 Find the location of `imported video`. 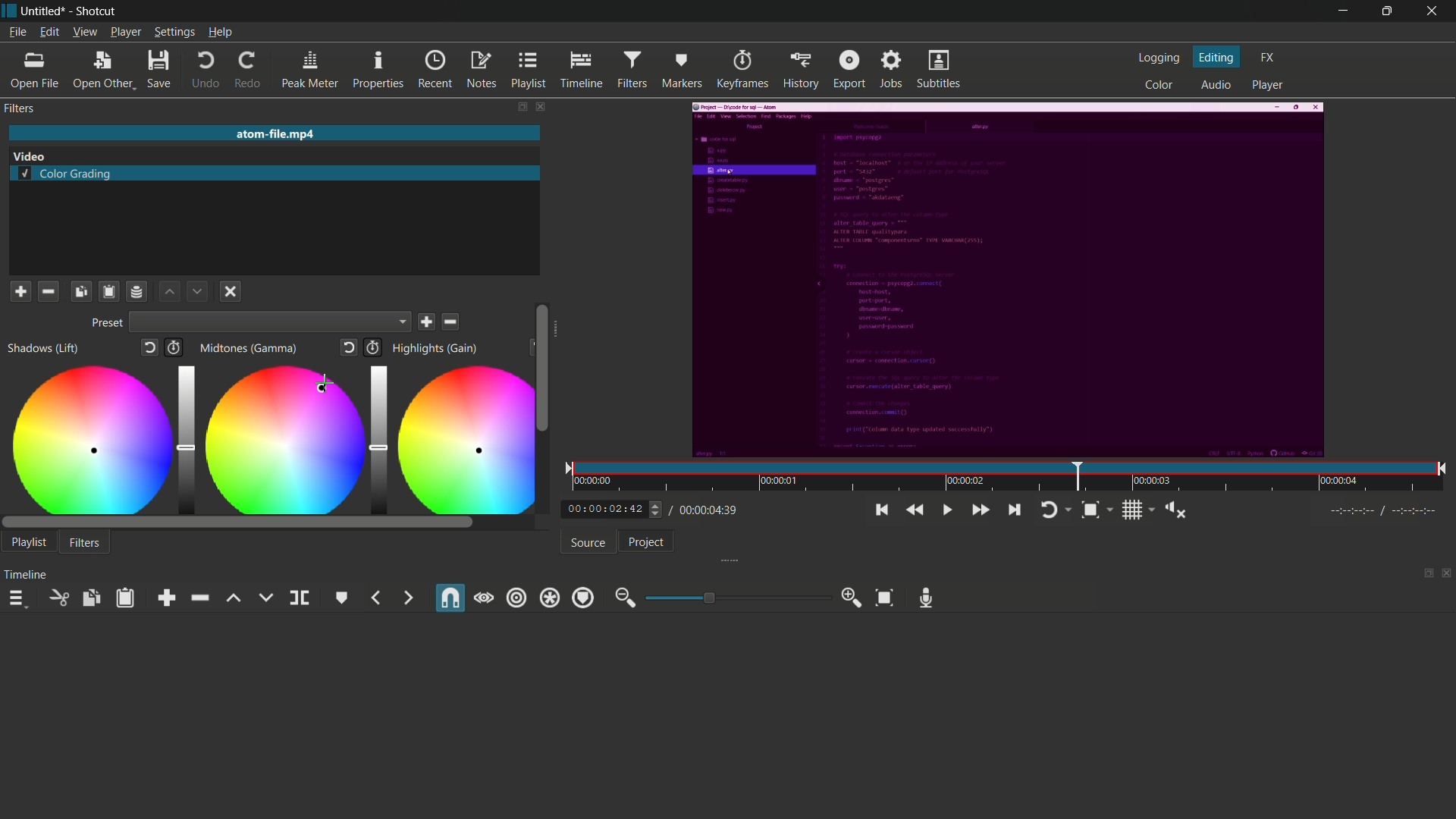

imported video is located at coordinates (1007, 281).